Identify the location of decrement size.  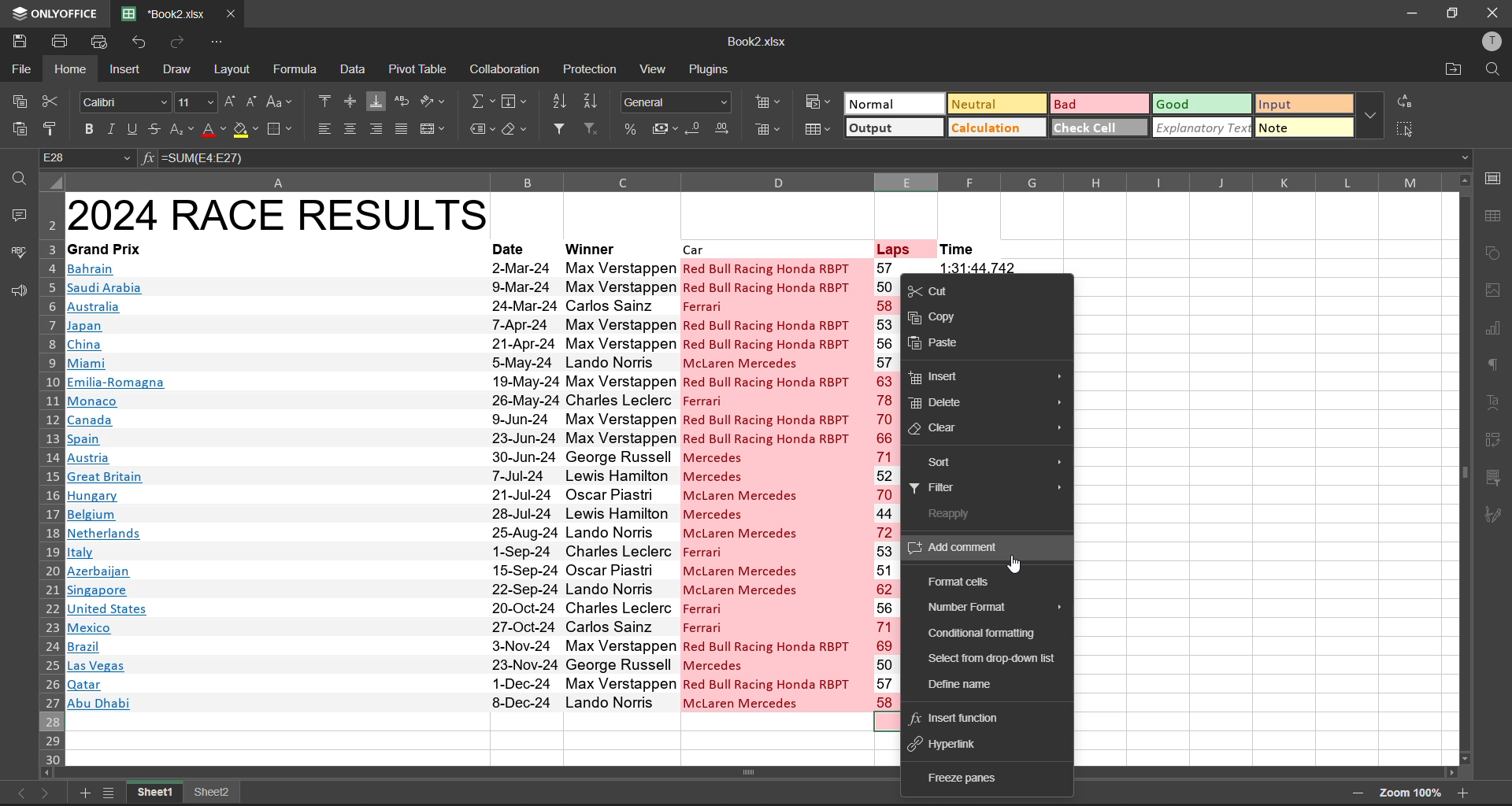
(249, 102).